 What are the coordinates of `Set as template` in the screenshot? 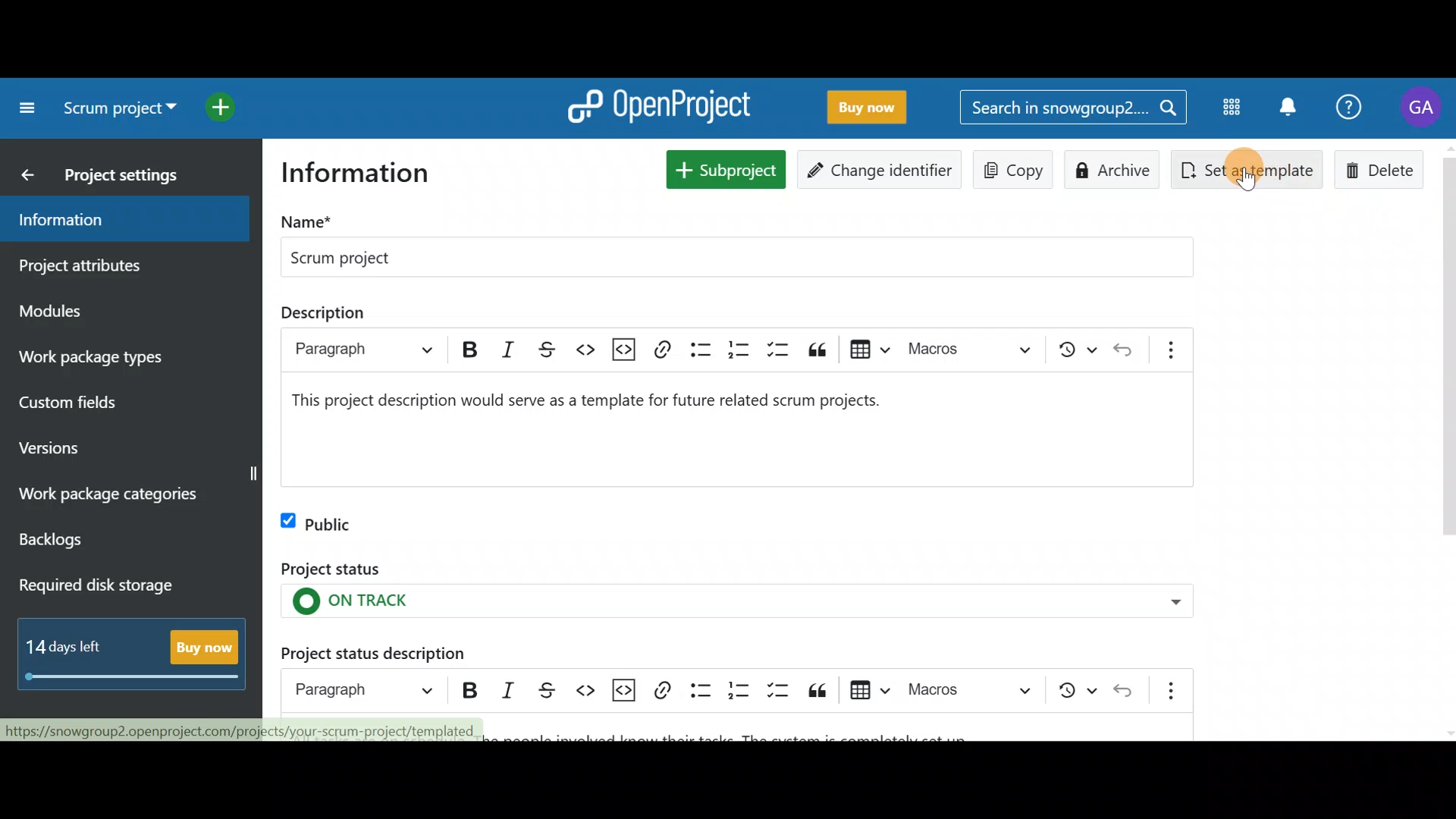 It's located at (1251, 171).